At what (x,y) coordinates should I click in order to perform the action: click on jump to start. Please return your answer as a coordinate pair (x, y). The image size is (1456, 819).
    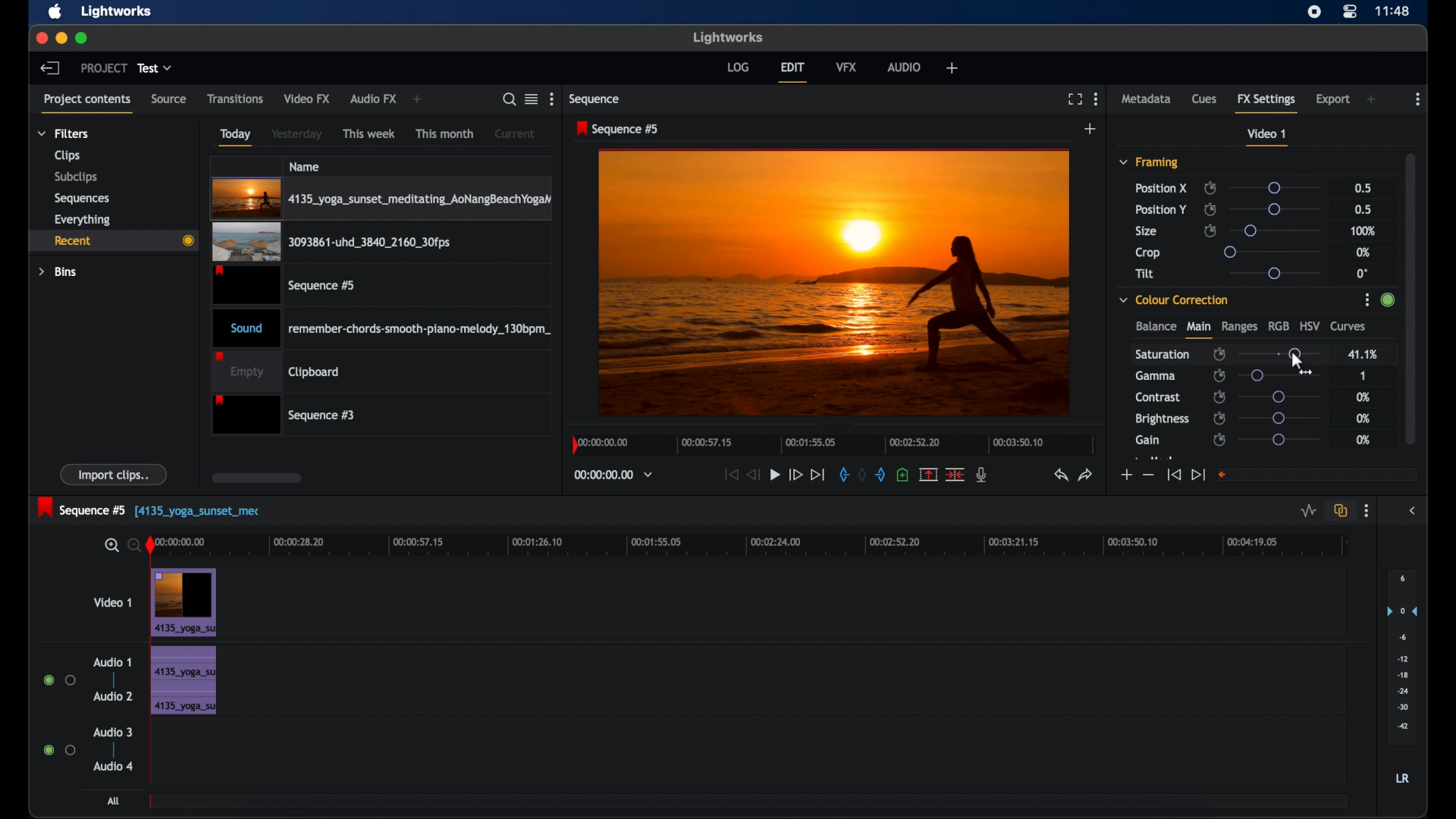
    Looking at the image, I should click on (1173, 475).